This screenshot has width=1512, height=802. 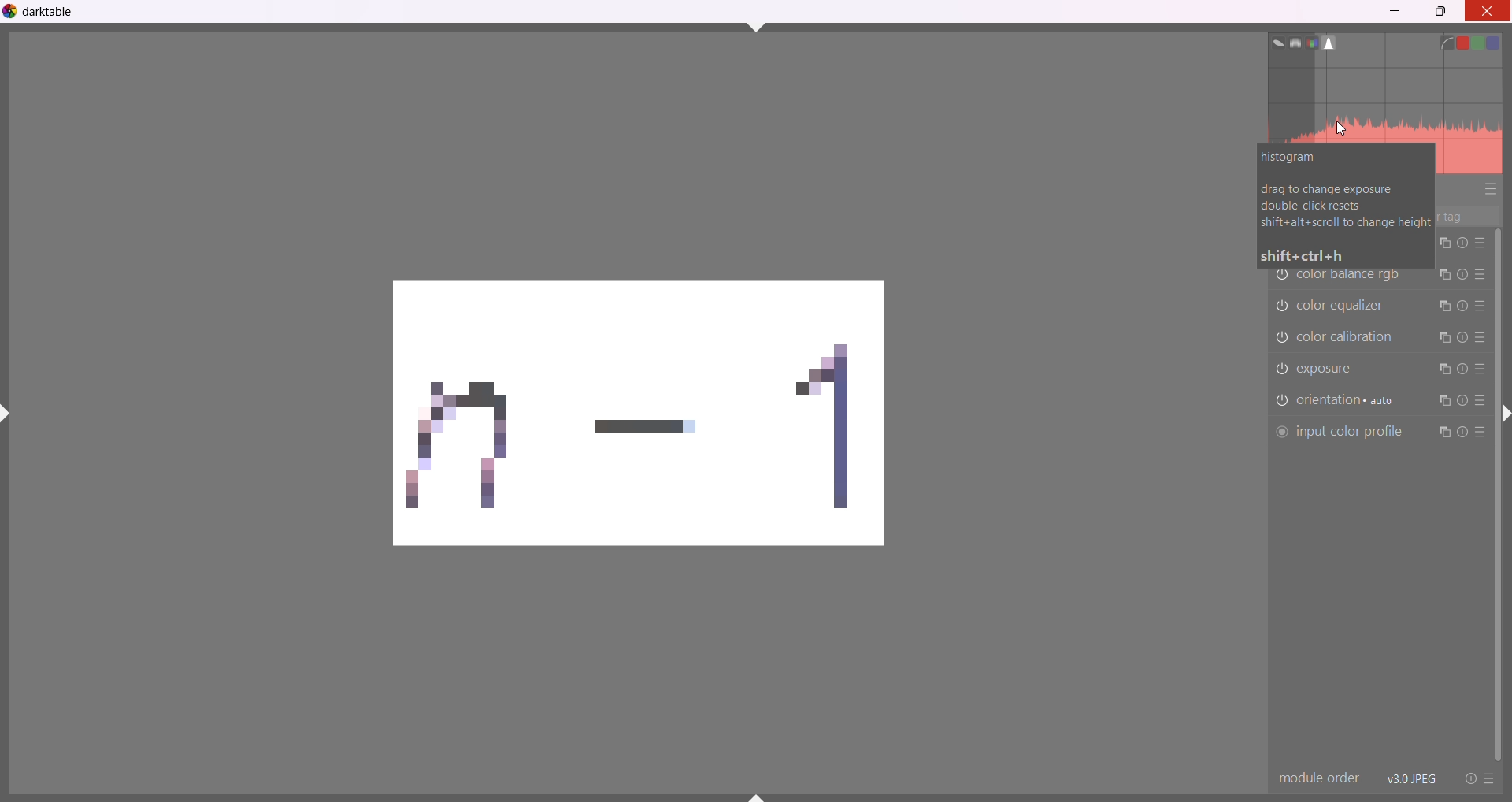 What do you see at coordinates (1463, 276) in the screenshot?
I see `reset parameters` at bounding box center [1463, 276].